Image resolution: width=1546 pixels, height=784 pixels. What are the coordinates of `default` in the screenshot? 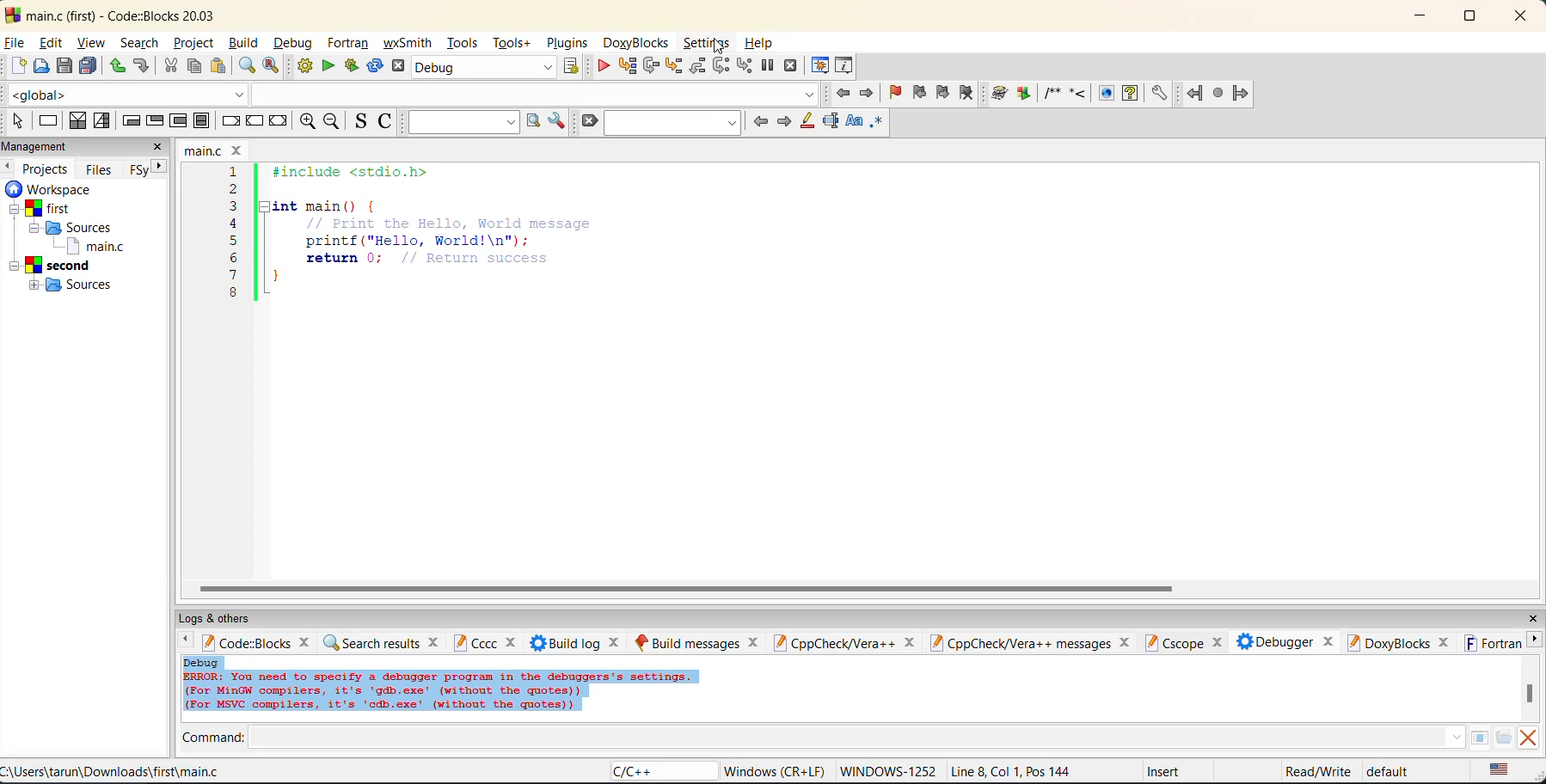 It's located at (1395, 772).